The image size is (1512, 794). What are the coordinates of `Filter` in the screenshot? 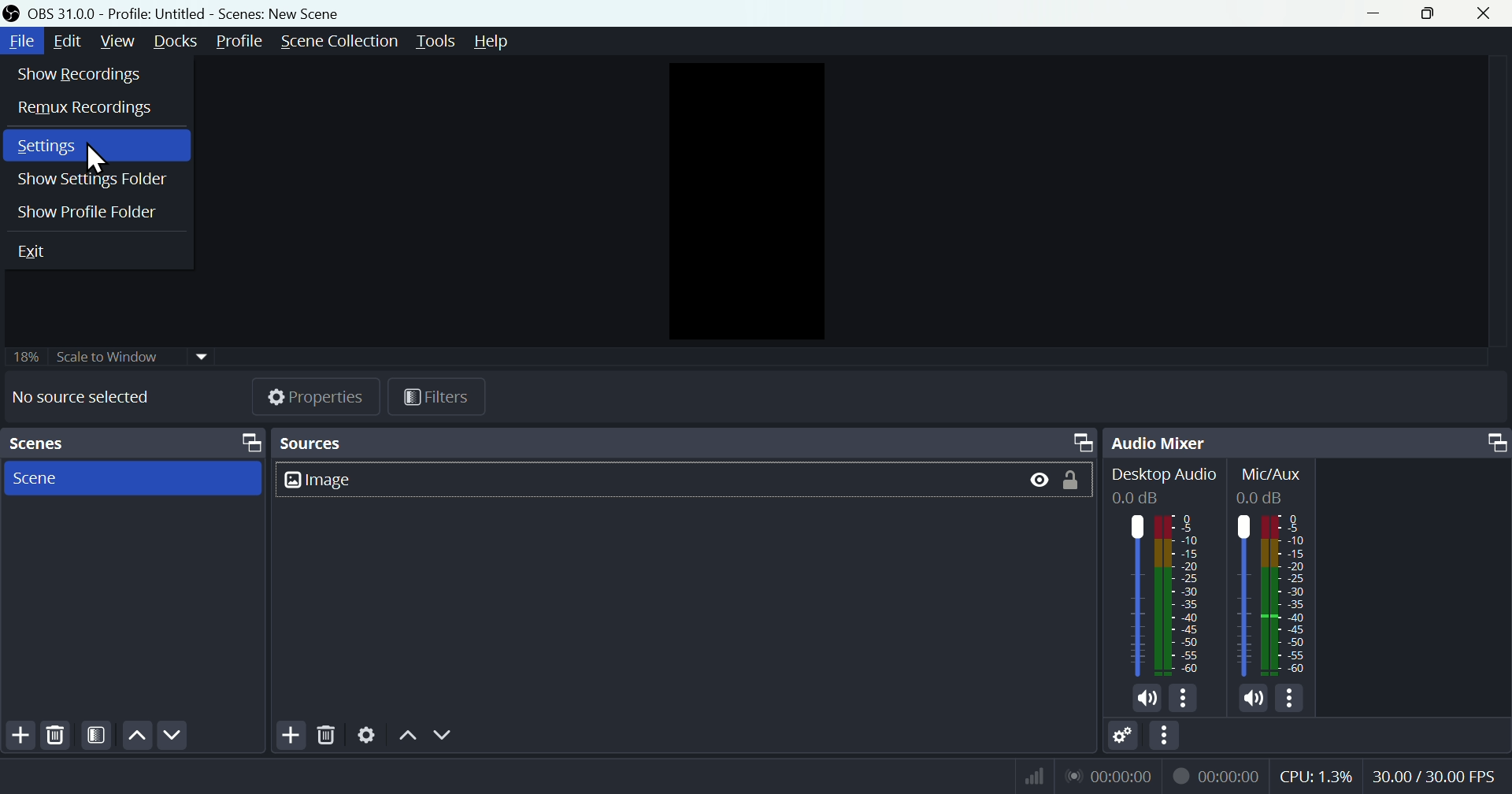 It's located at (97, 736).